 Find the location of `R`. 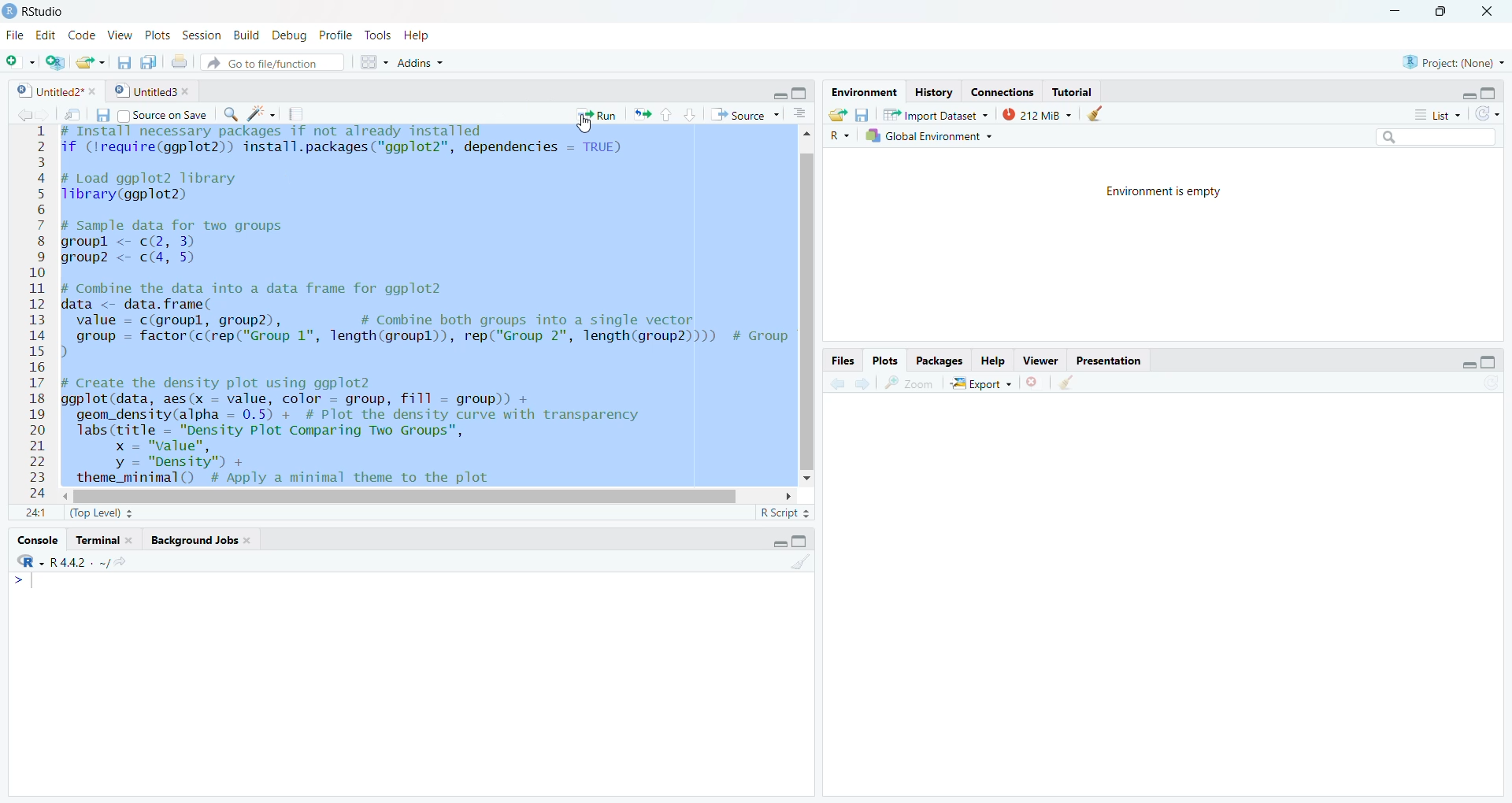

R is located at coordinates (839, 136).